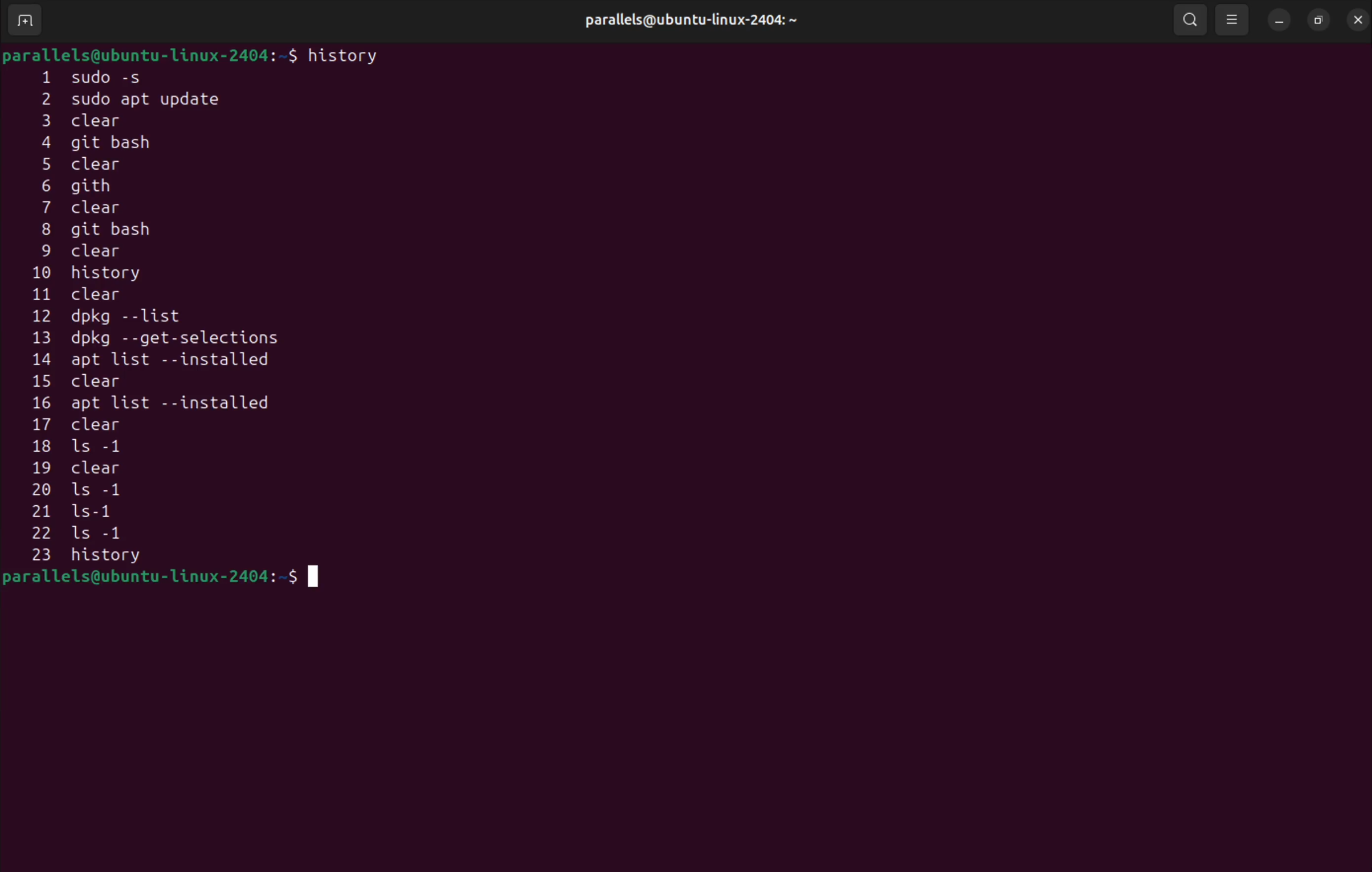  What do you see at coordinates (94, 185) in the screenshot?
I see `6 gith` at bounding box center [94, 185].